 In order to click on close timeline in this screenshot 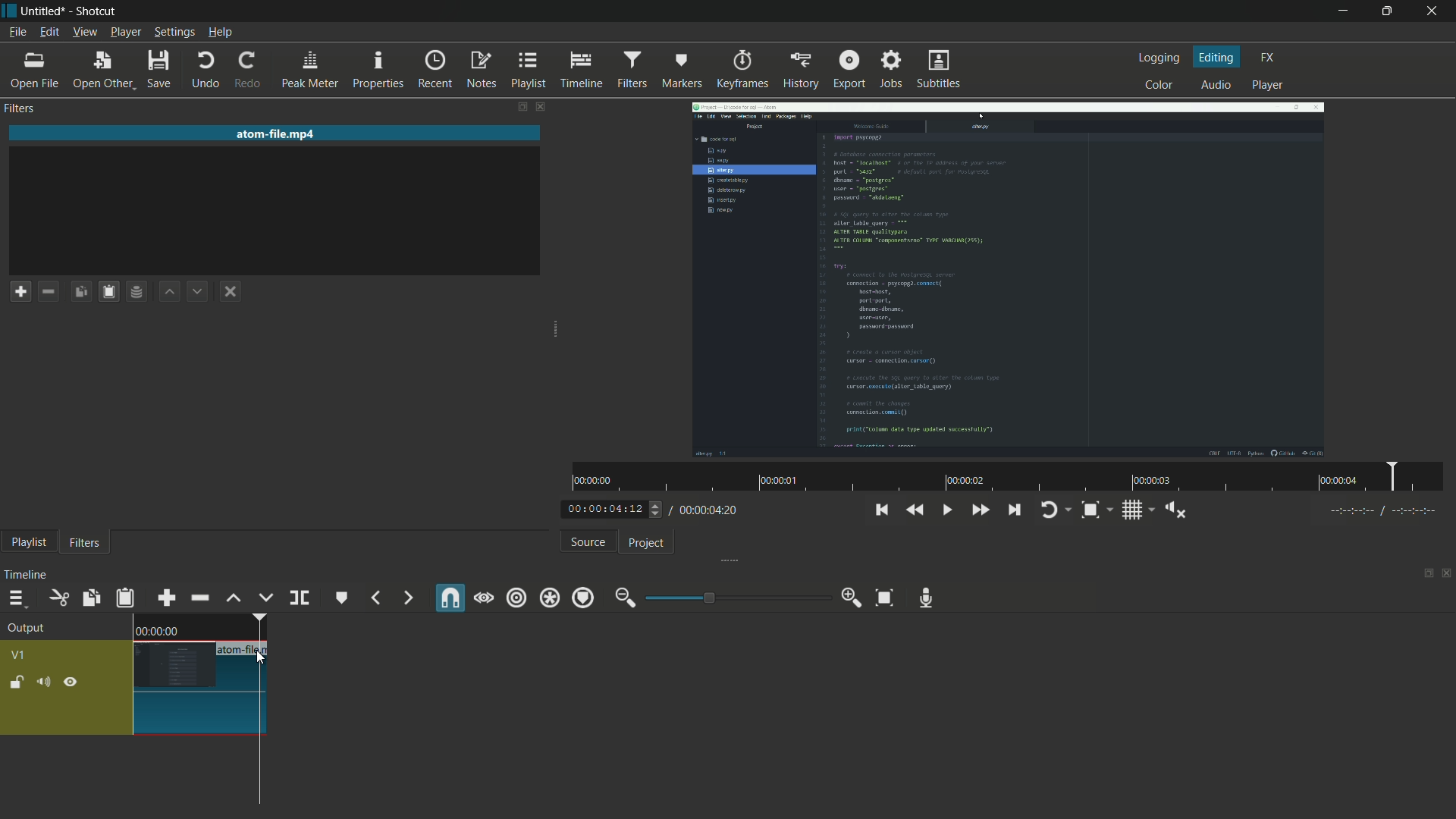, I will do `click(1447, 574)`.